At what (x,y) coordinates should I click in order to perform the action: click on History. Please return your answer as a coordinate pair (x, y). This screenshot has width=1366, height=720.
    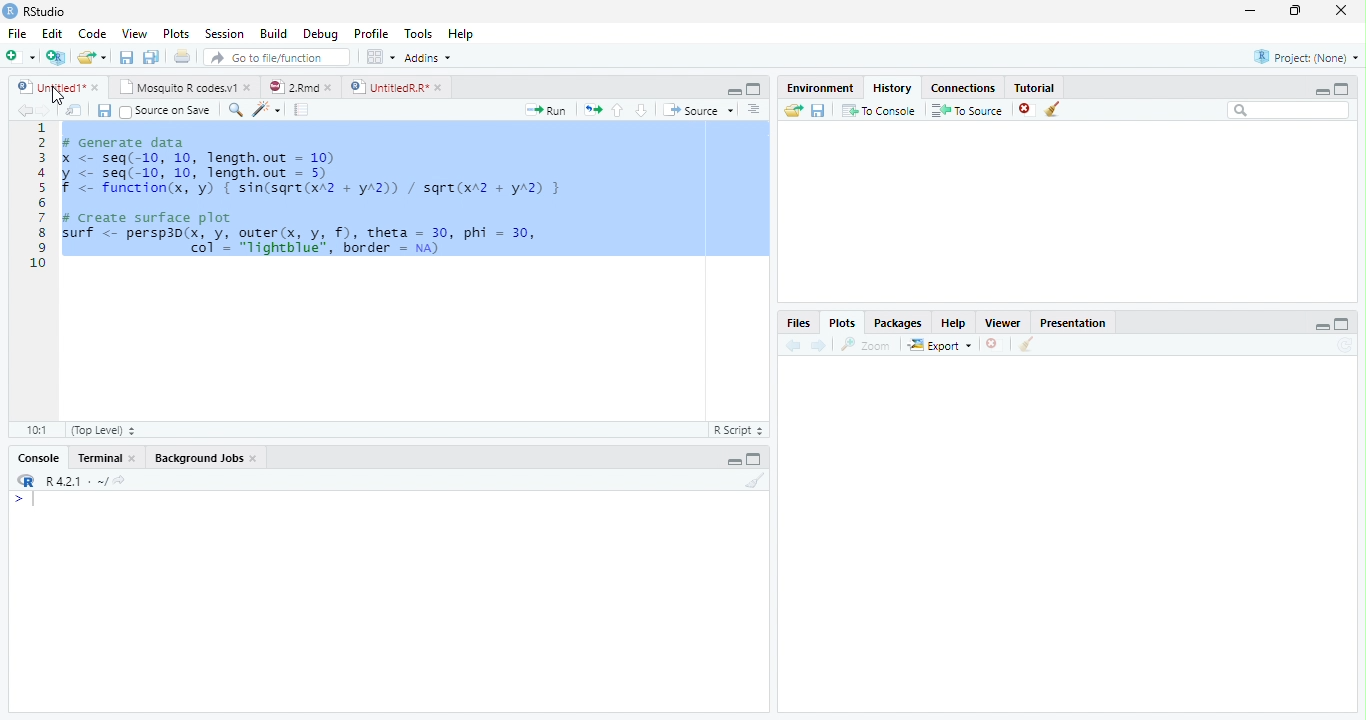
    Looking at the image, I should click on (893, 87).